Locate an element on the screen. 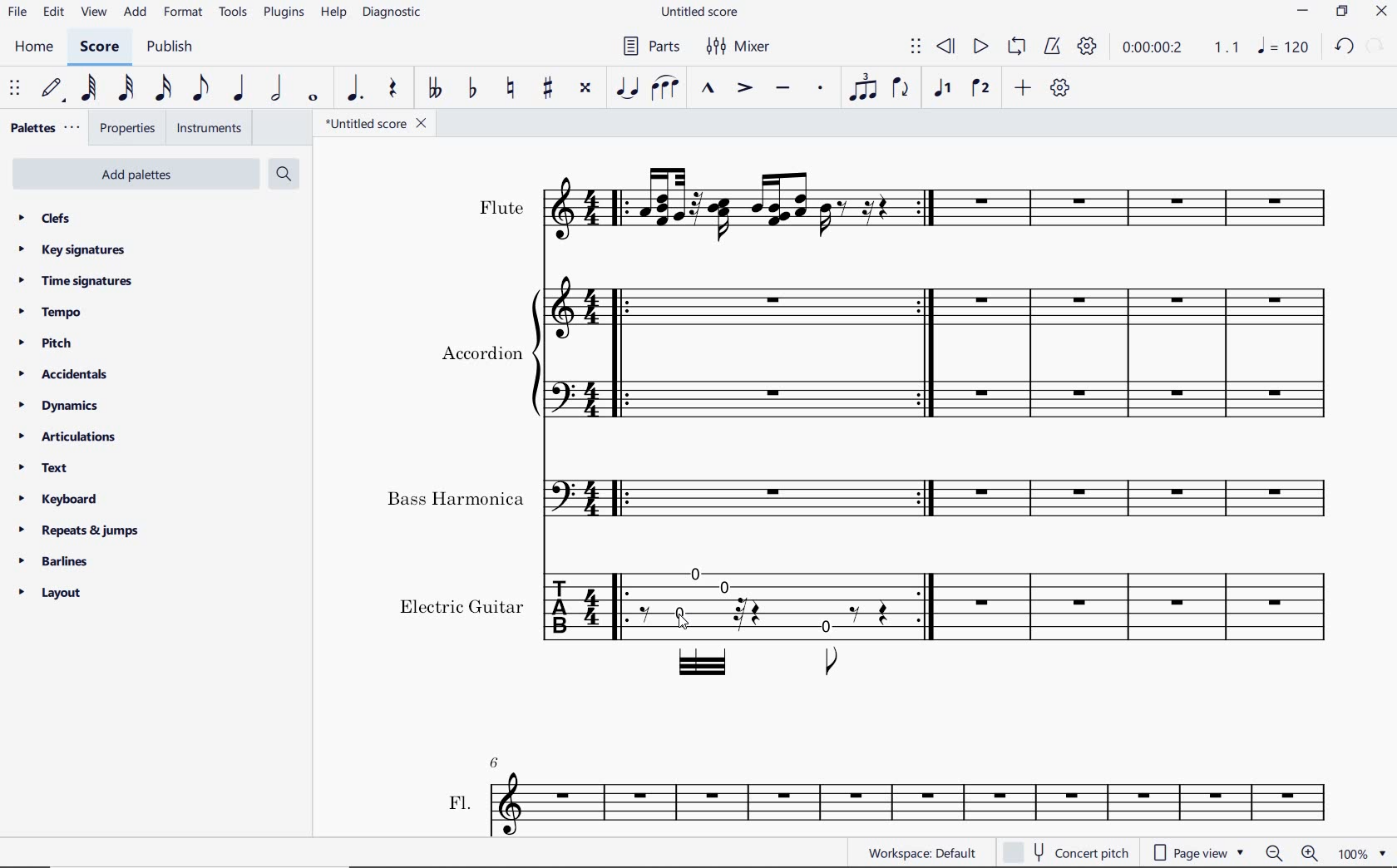 Image resolution: width=1397 pixels, height=868 pixels. file name is located at coordinates (378, 125).